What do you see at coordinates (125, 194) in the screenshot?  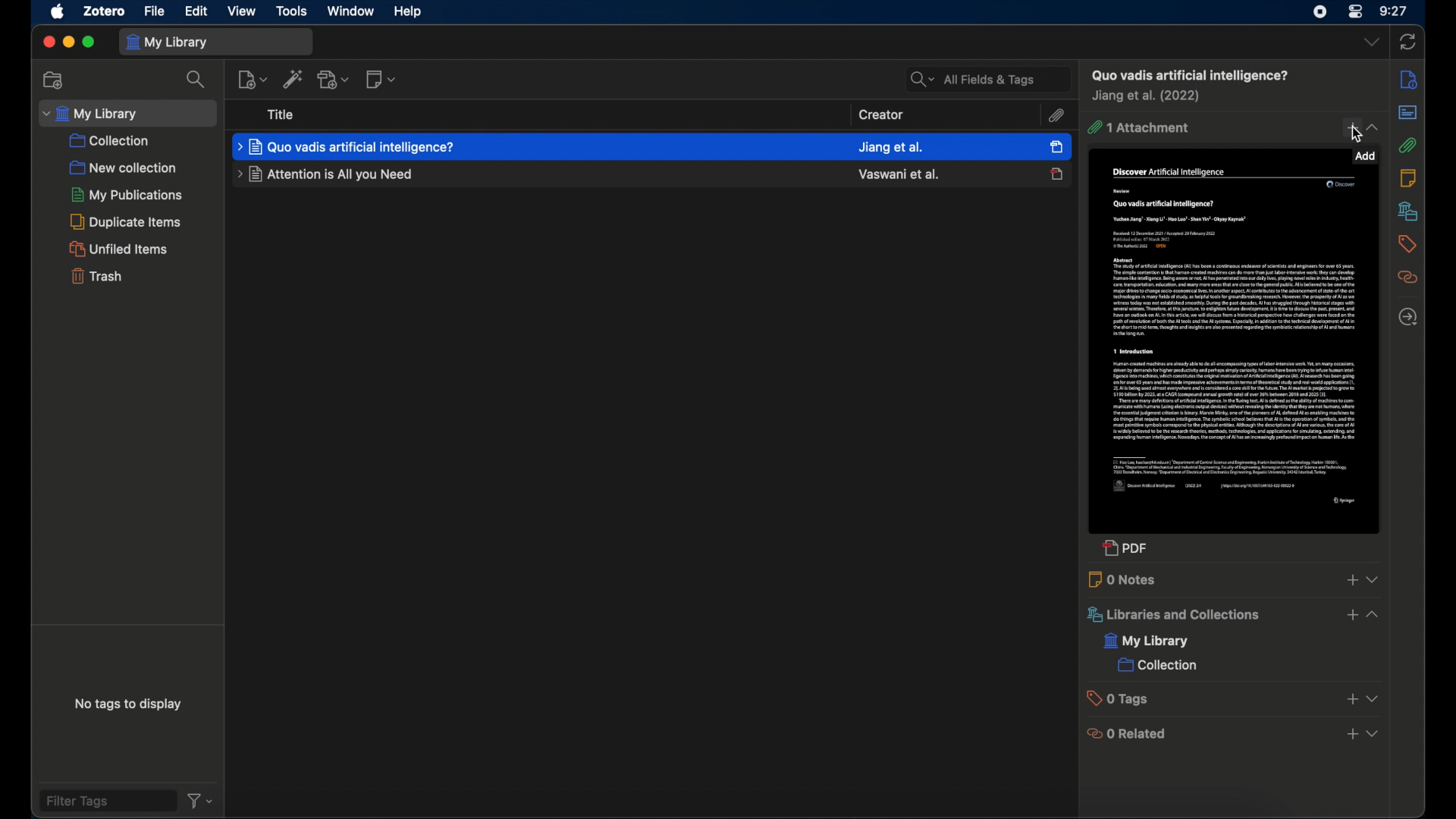 I see `my publications` at bounding box center [125, 194].